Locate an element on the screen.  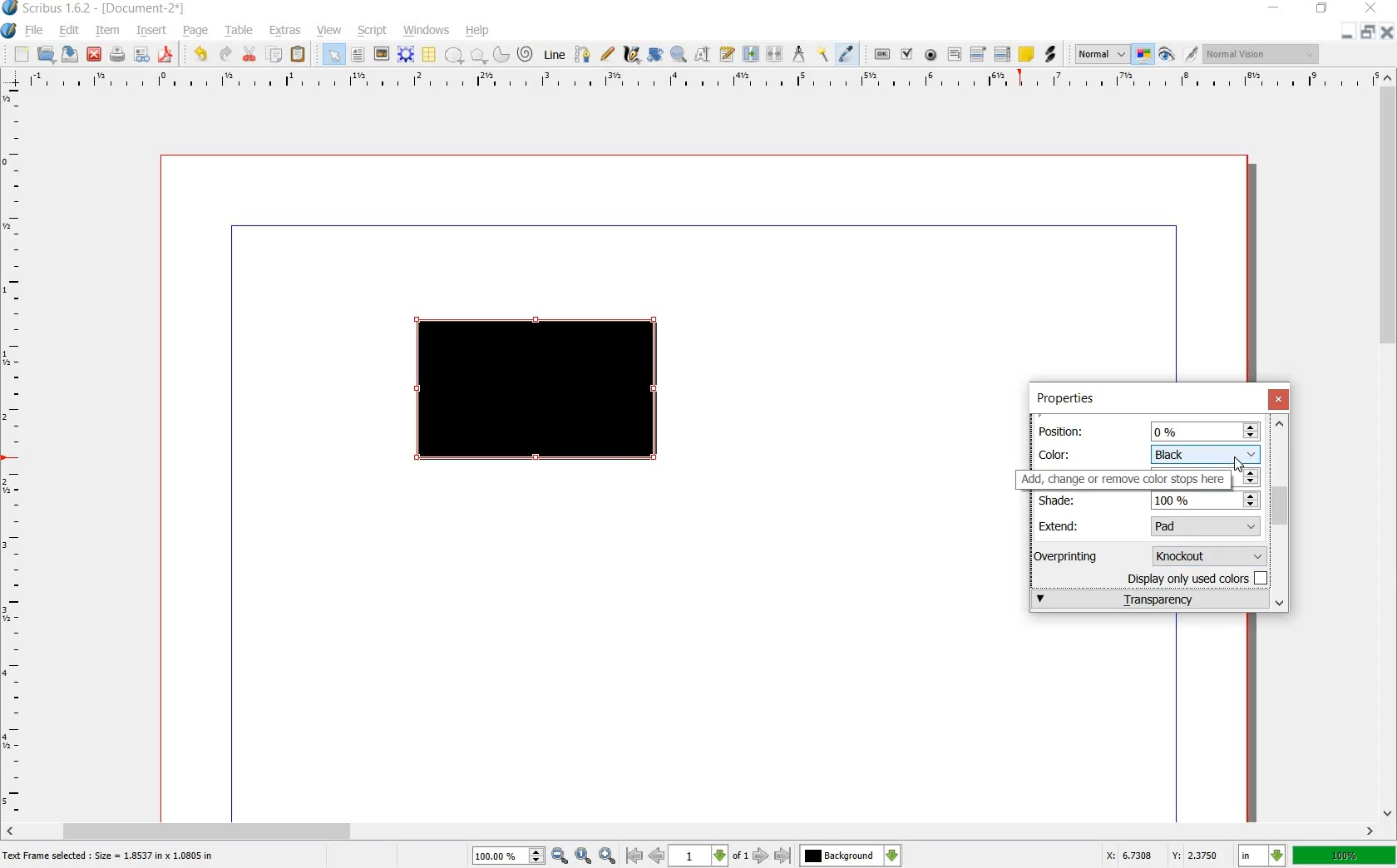
extend is located at coordinates (1062, 525).